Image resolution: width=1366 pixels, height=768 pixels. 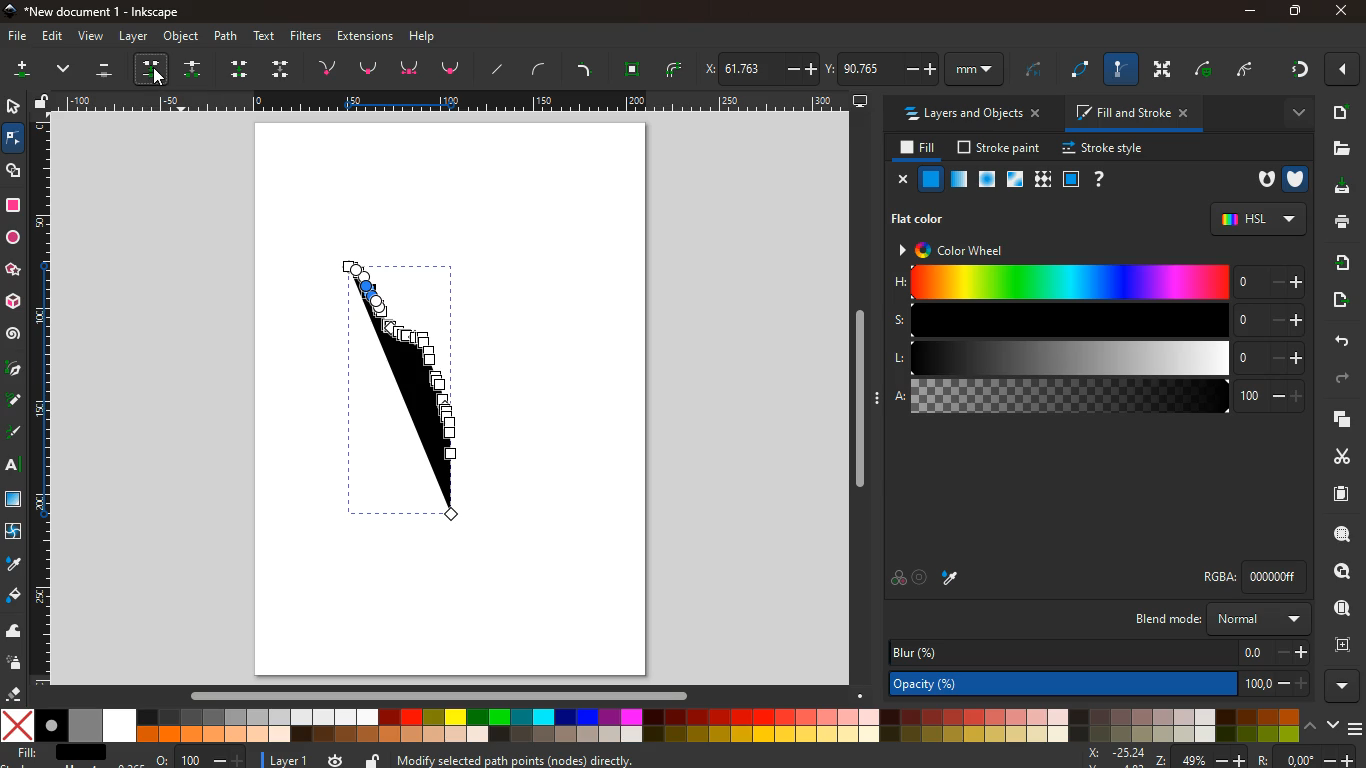 What do you see at coordinates (1257, 218) in the screenshot?
I see `hsl` at bounding box center [1257, 218].